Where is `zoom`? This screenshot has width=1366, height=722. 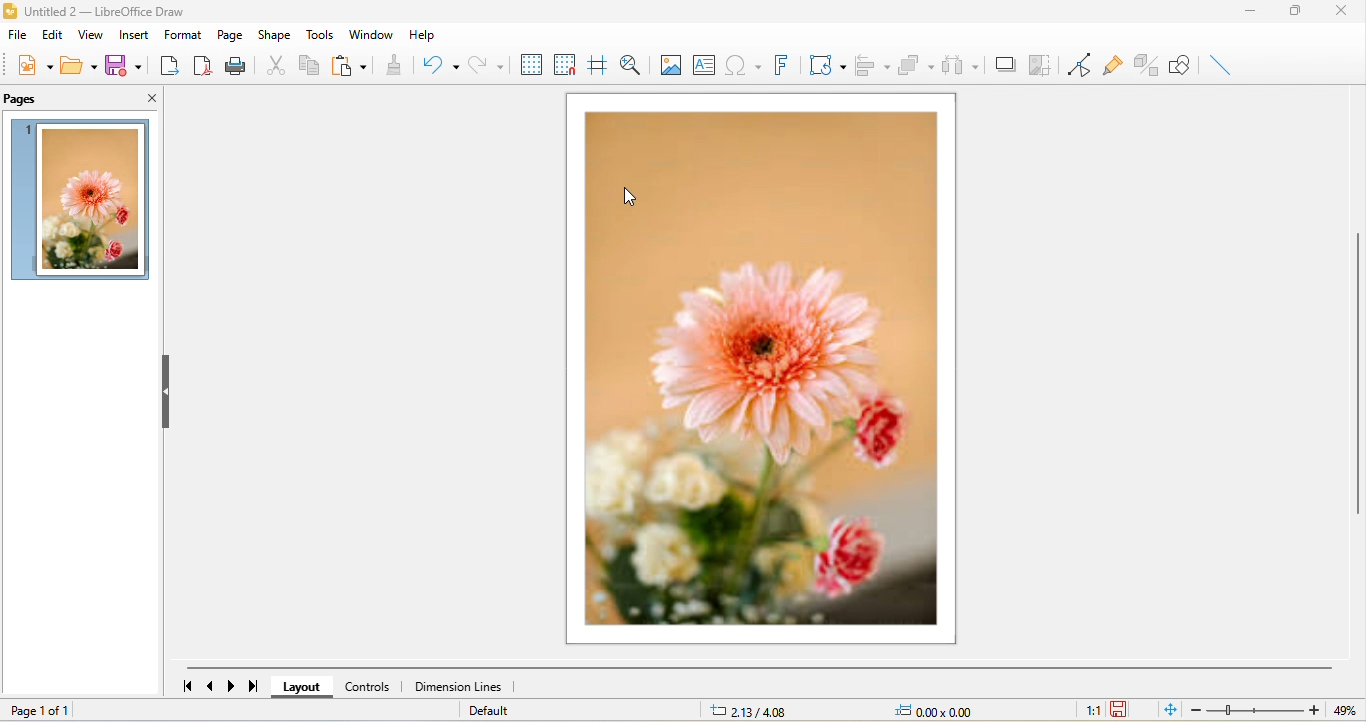
zoom is located at coordinates (1271, 710).